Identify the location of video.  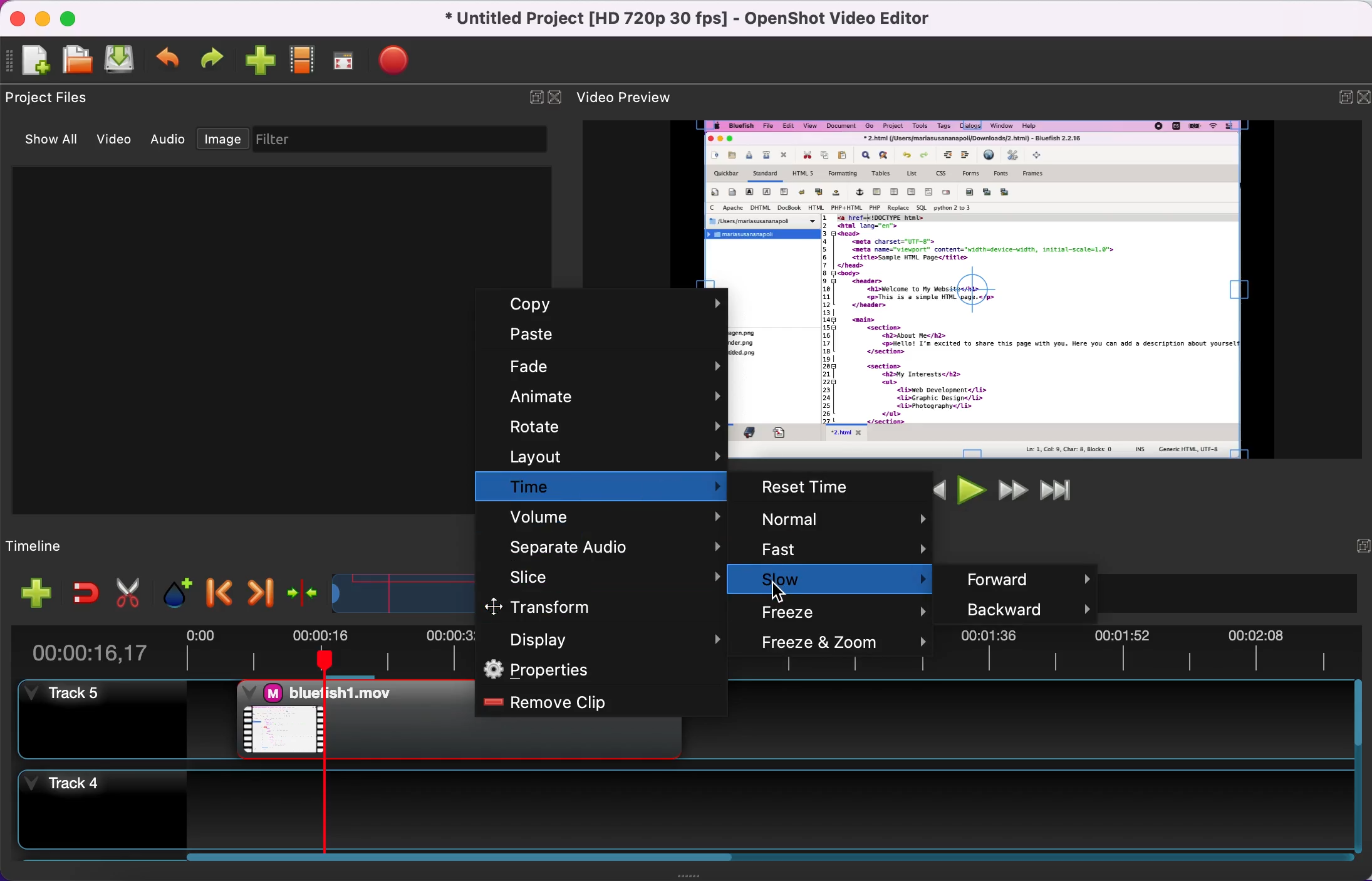
(119, 141).